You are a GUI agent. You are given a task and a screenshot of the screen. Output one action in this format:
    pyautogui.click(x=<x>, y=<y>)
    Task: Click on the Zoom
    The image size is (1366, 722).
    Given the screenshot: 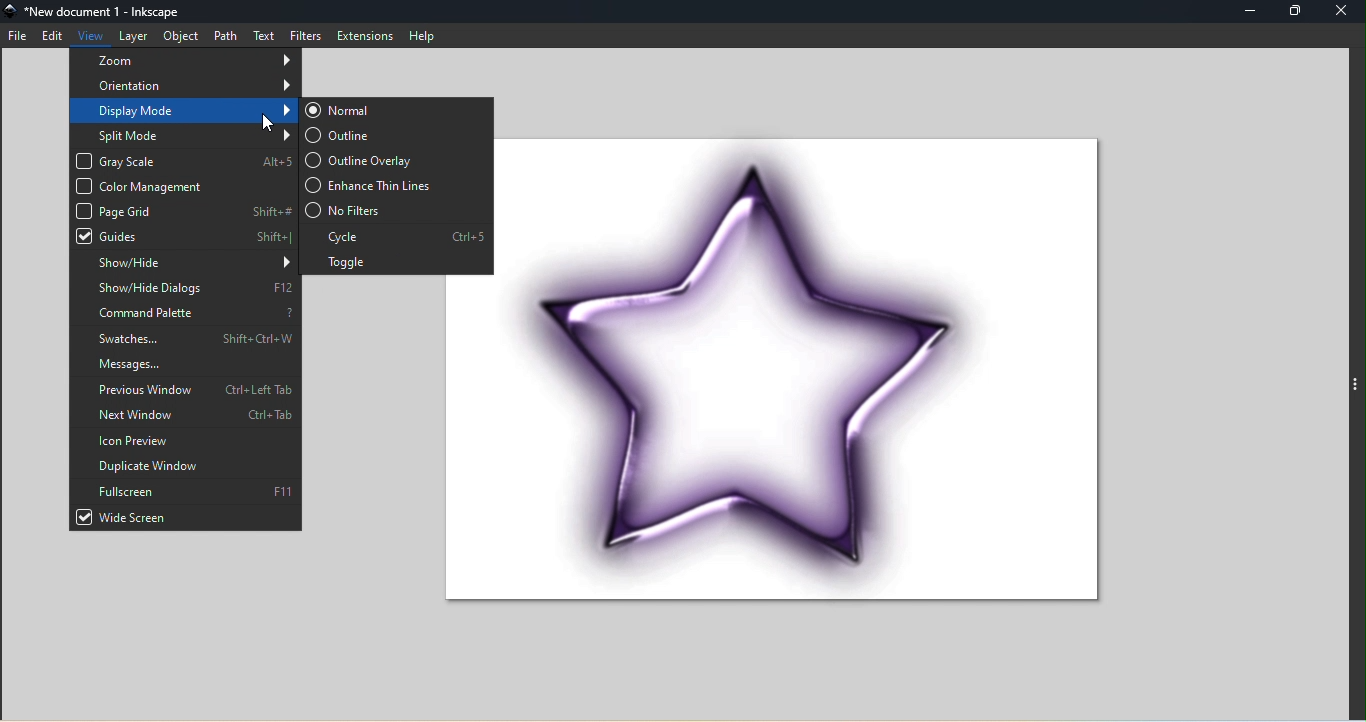 What is the action you would take?
    pyautogui.click(x=185, y=60)
    